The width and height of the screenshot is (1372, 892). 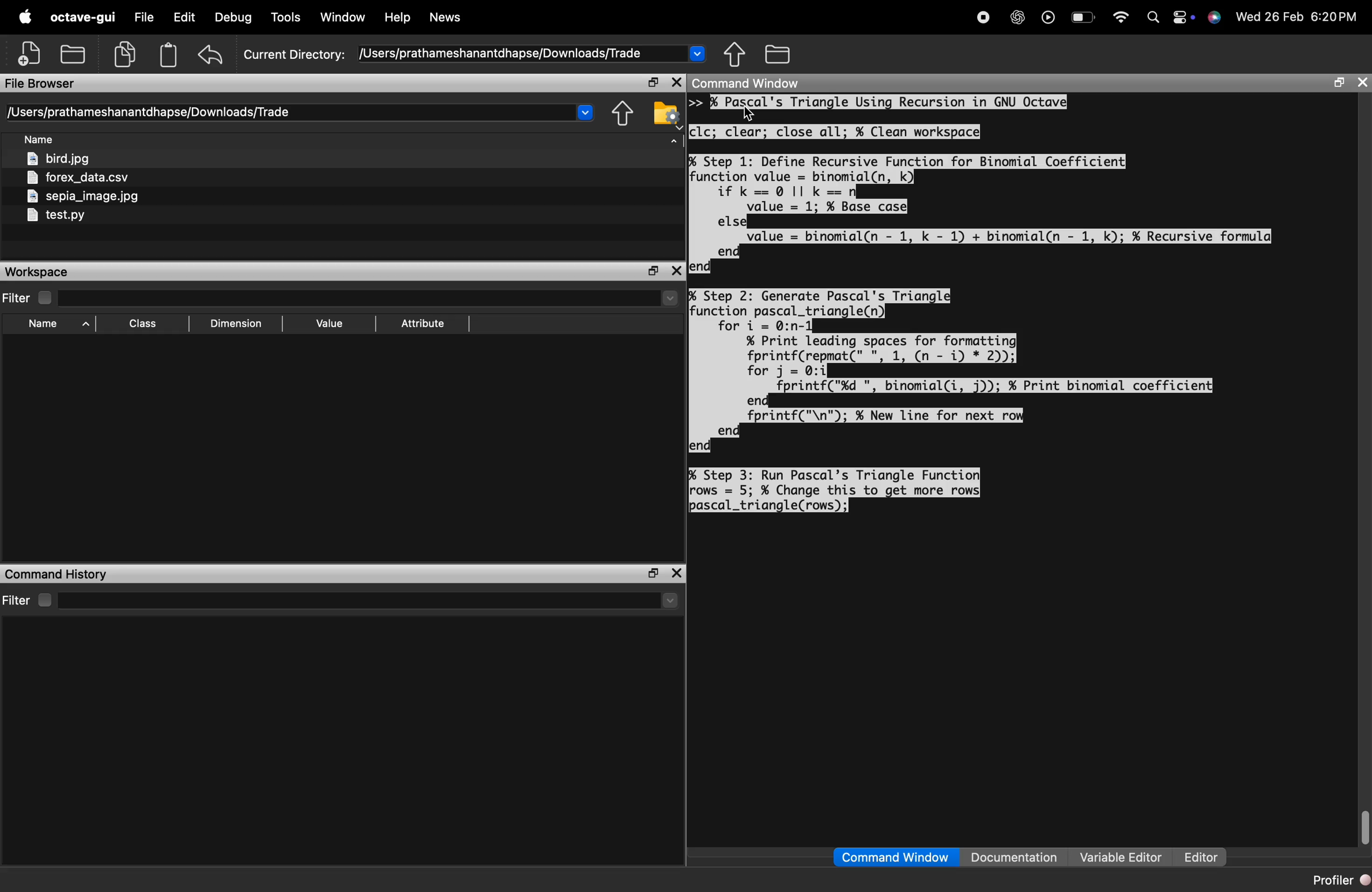 I want to click on Filter, so click(x=29, y=298).